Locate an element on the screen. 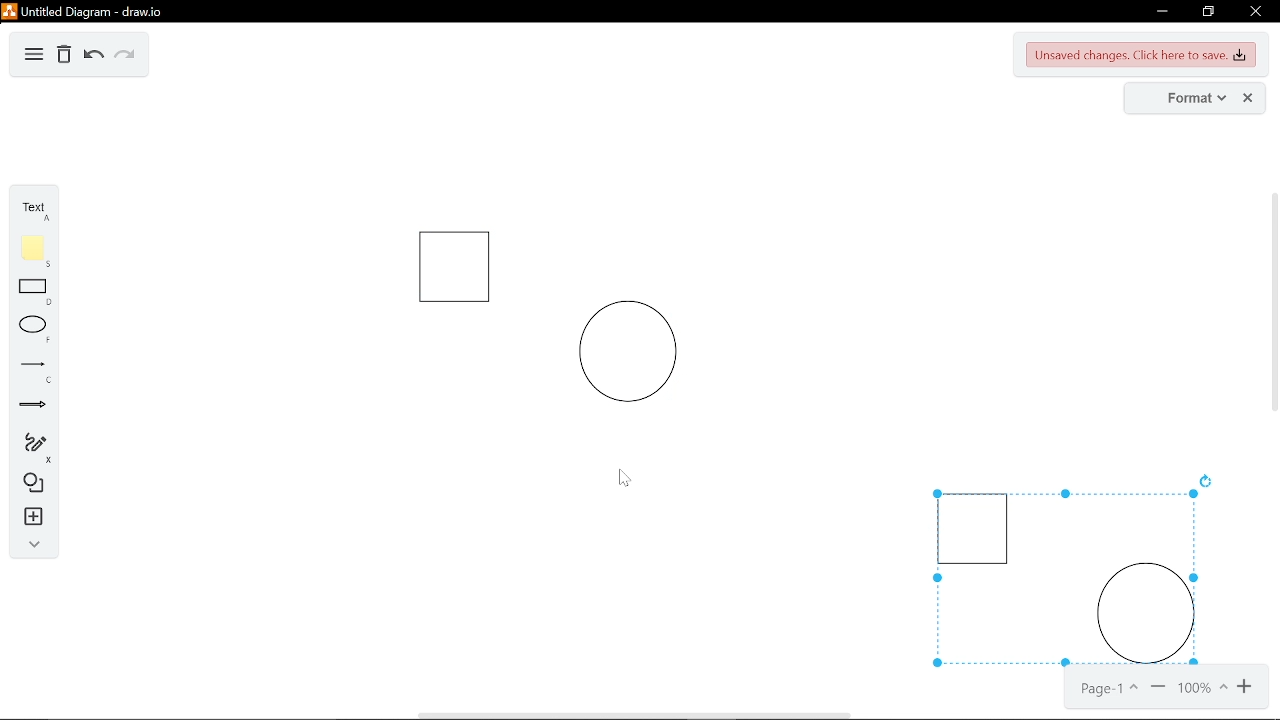 The image size is (1280, 720). freehand is located at coordinates (31, 448).